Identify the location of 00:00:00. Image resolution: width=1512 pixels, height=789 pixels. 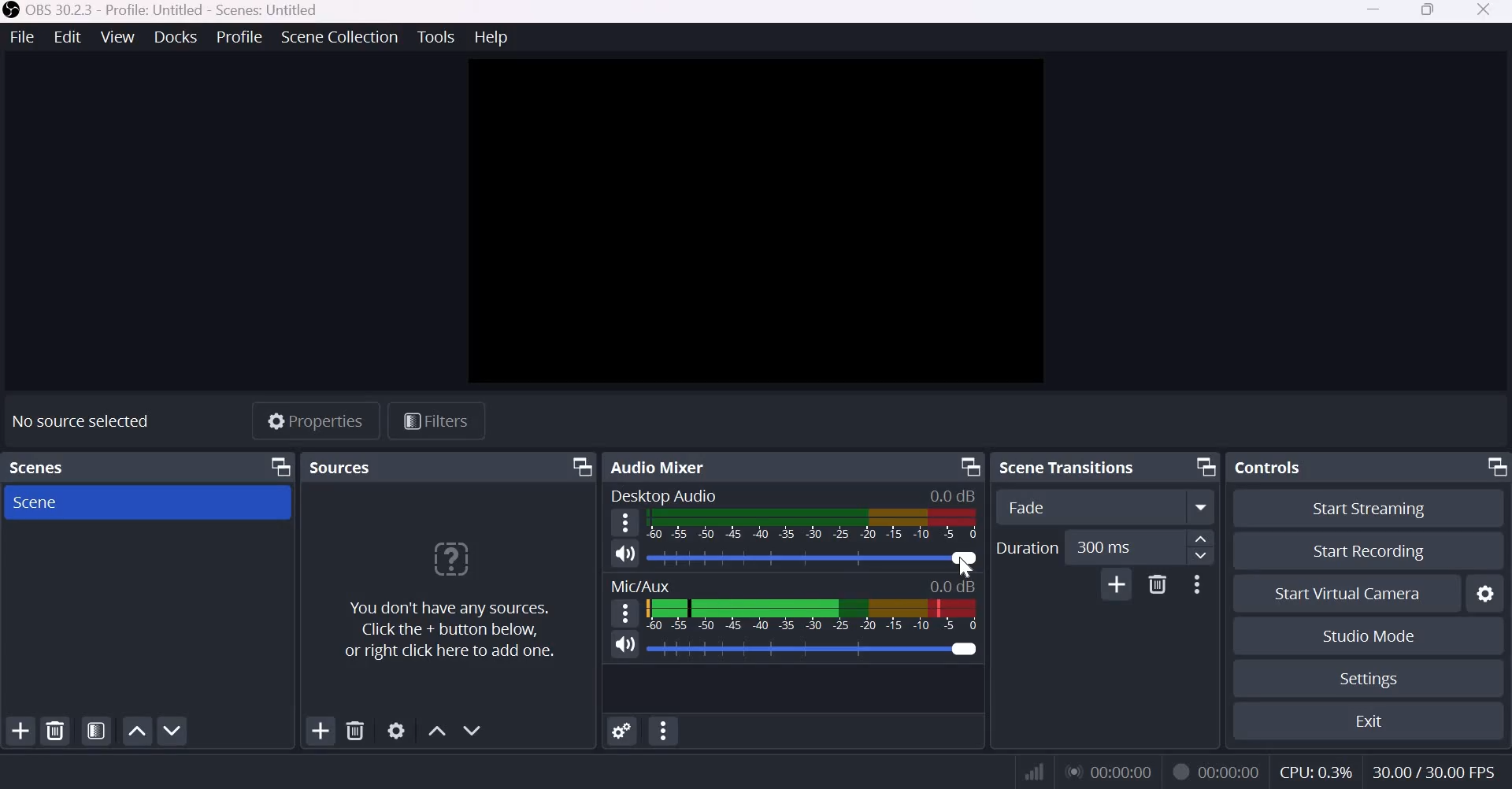
(1232, 769).